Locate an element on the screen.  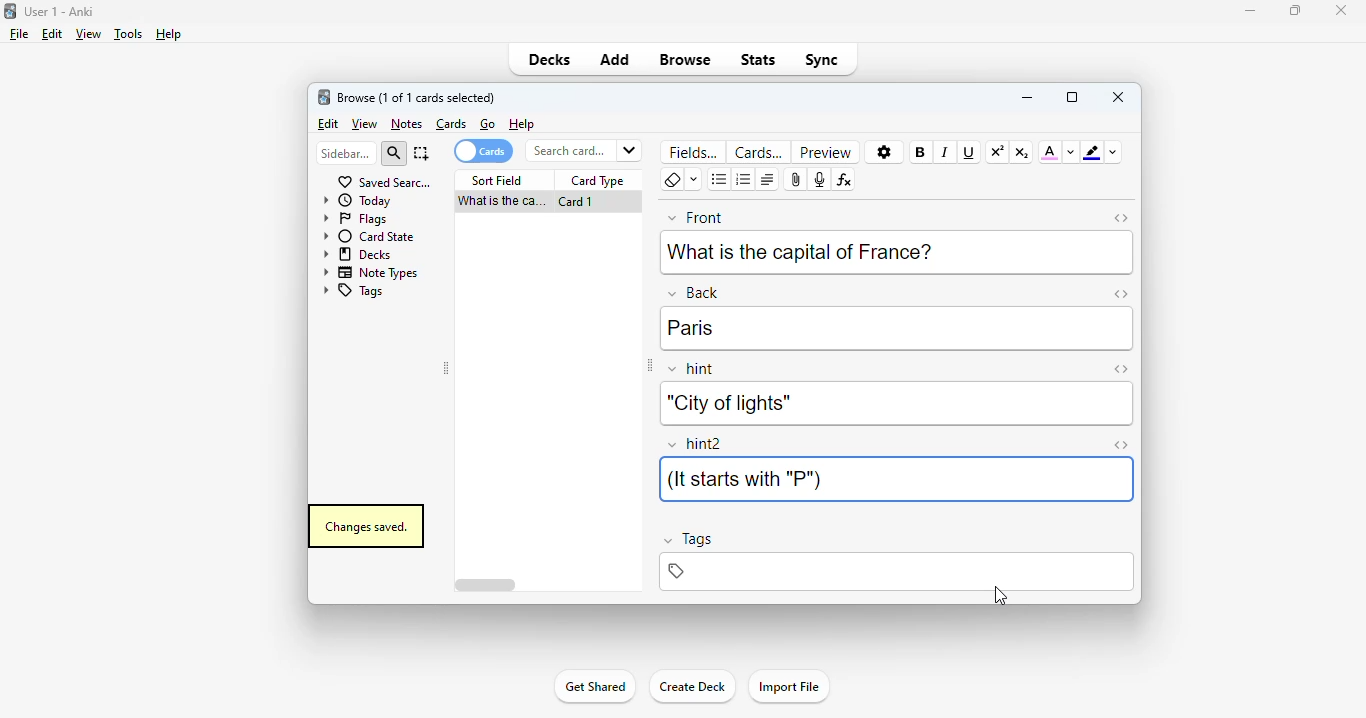
underline is located at coordinates (967, 152).